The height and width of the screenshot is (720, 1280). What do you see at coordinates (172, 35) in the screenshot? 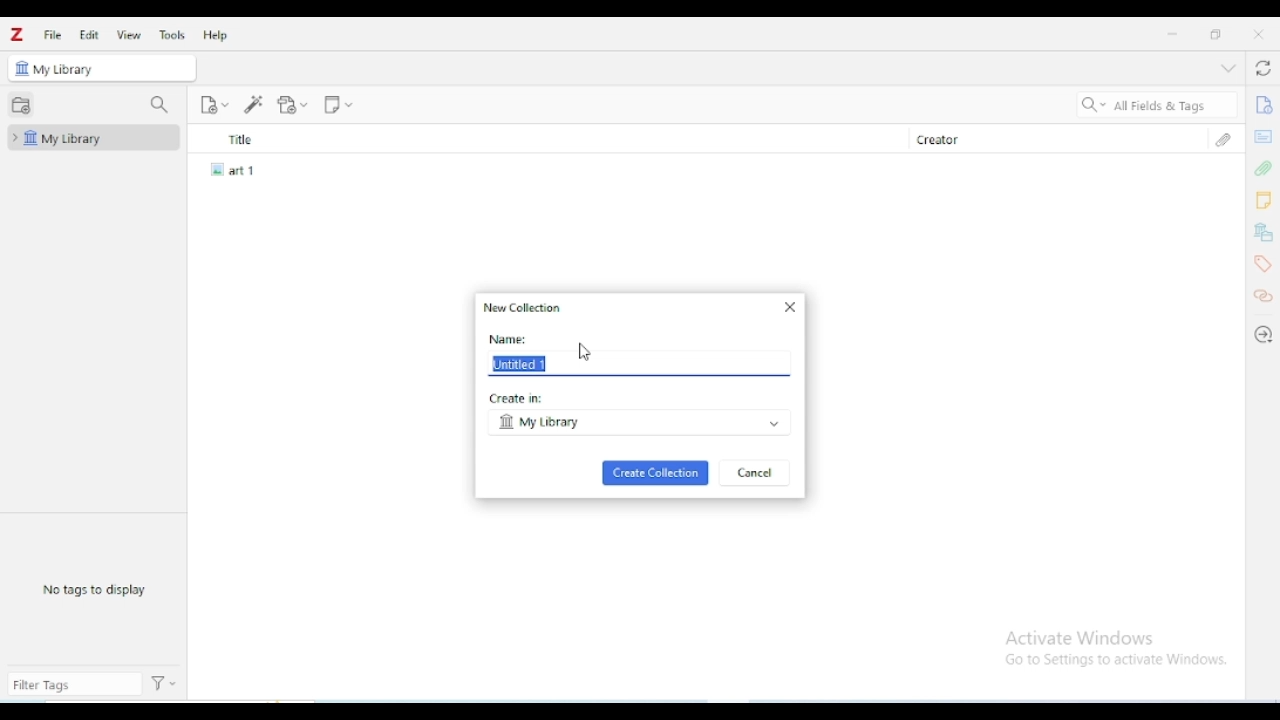
I see `tools` at bounding box center [172, 35].